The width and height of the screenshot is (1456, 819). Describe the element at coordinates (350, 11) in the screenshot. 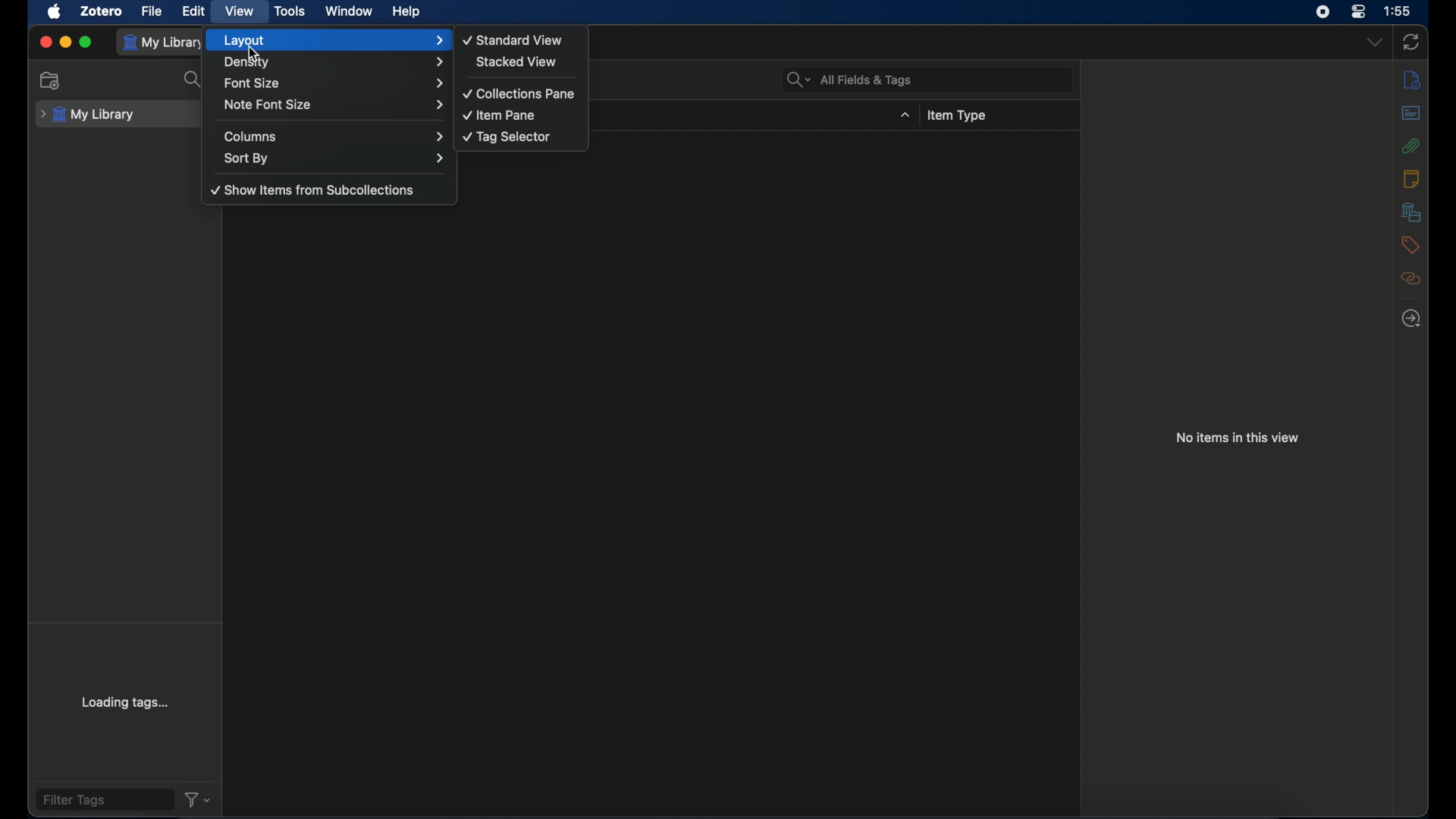

I see `window` at that location.